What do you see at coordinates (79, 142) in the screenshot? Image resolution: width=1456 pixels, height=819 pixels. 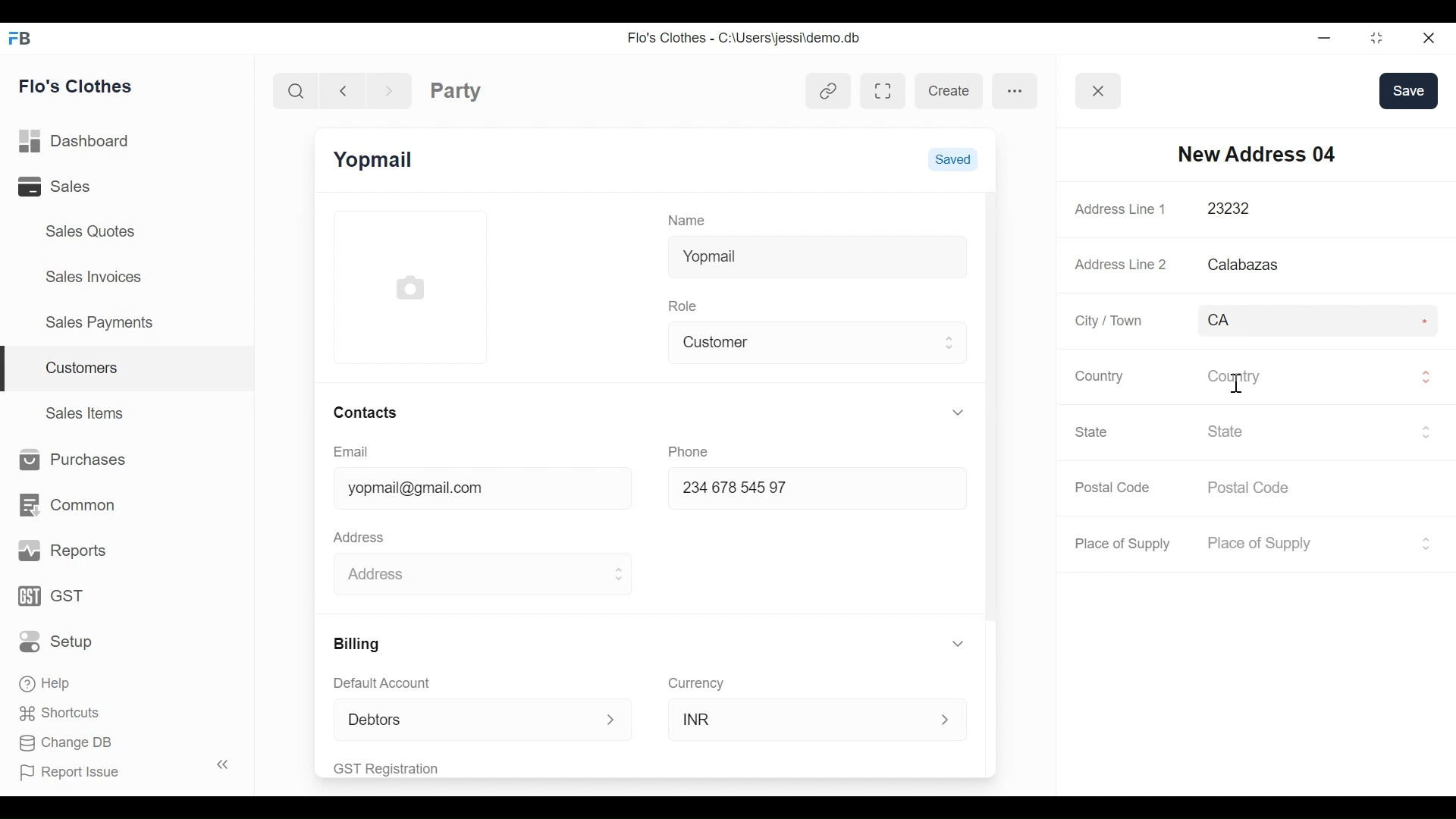 I see `Dashboard` at bounding box center [79, 142].